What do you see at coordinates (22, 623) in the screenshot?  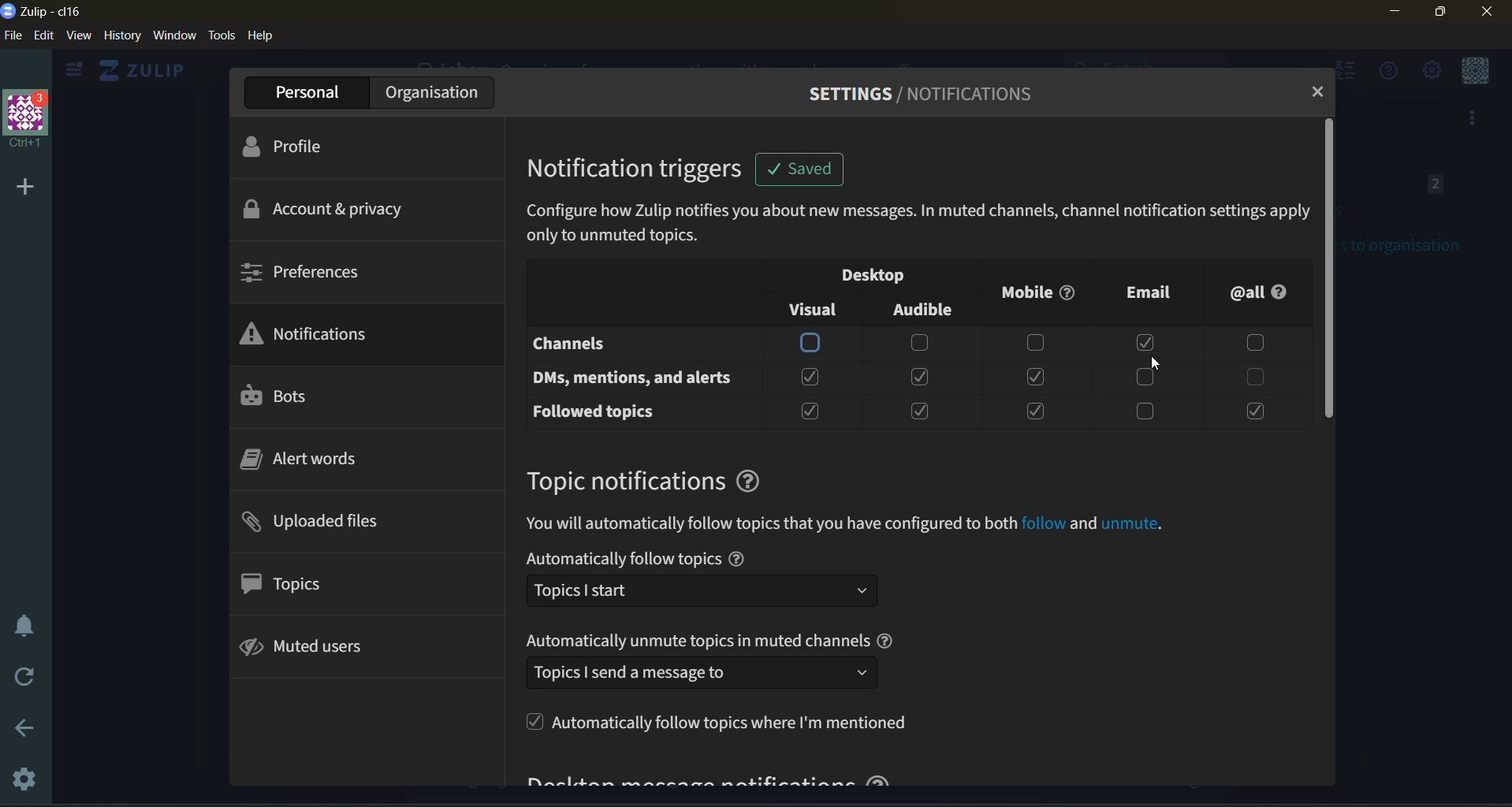 I see `enable do not disturb` at bounding box center [22, 623].